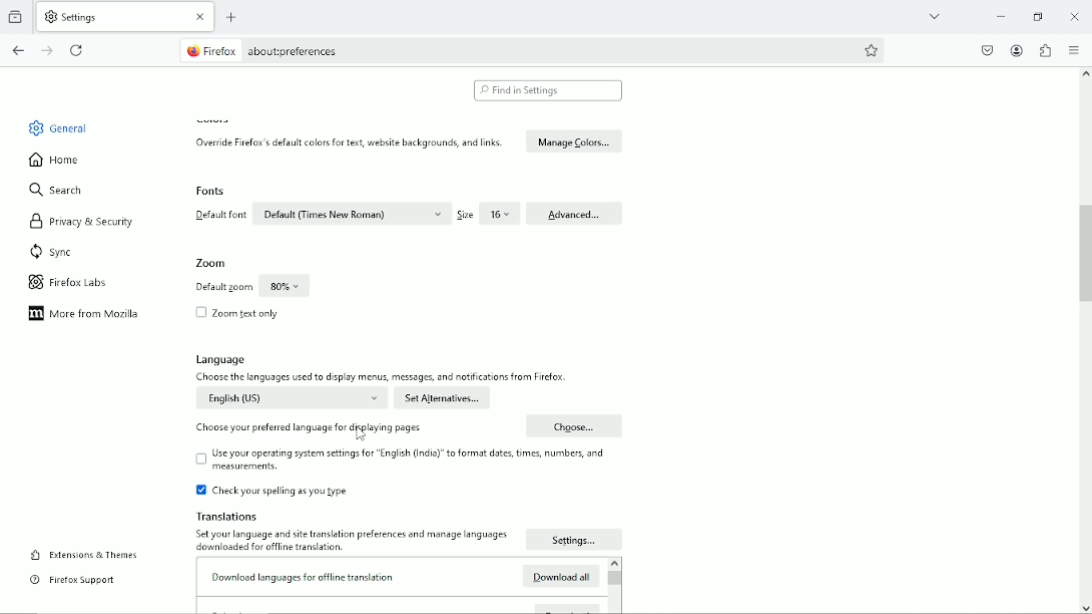 The height and width of the screenshot is (614, 1092). I want to click on go forward, so click(47, 51).